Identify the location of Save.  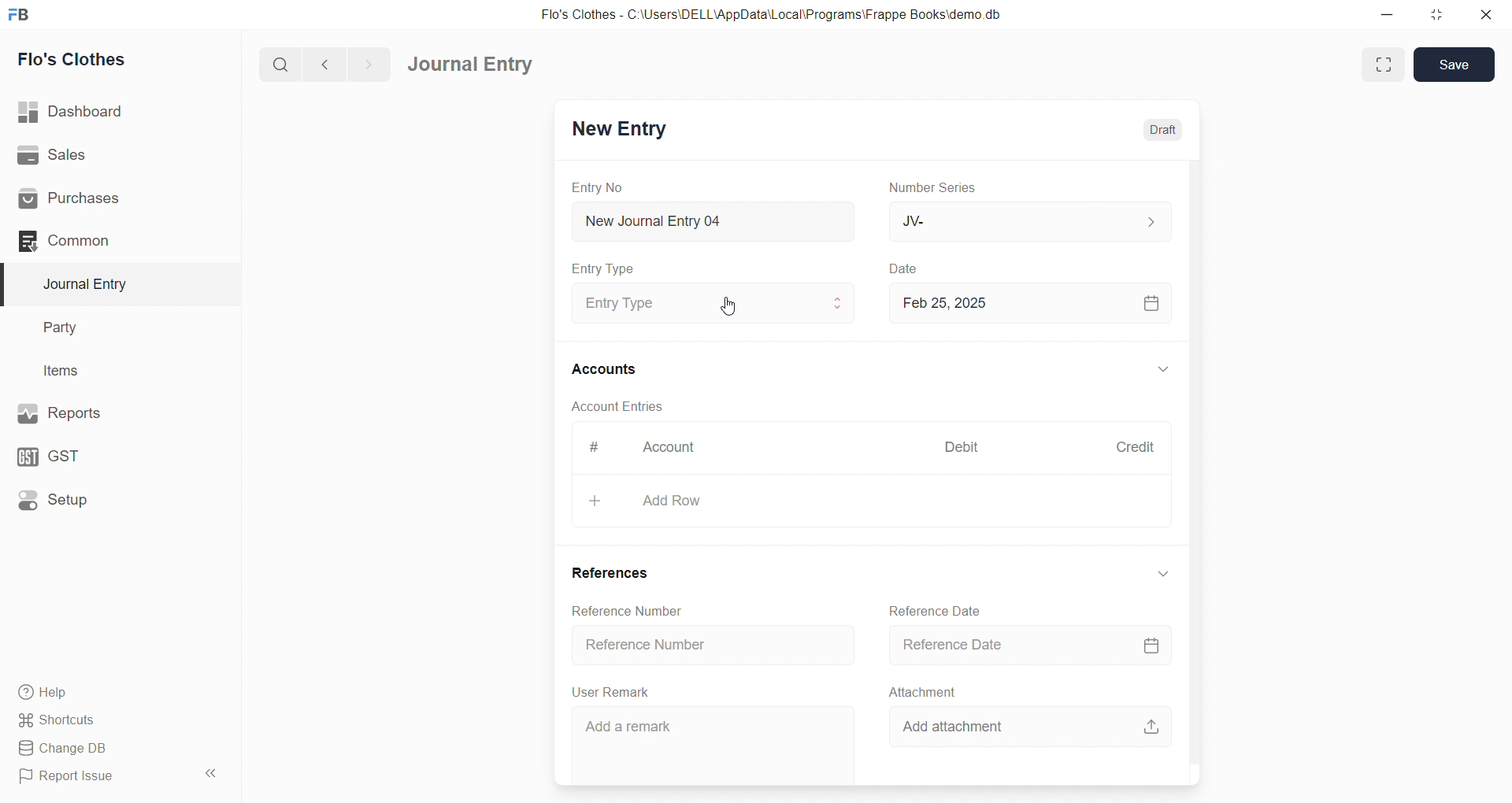
(1456, 65).